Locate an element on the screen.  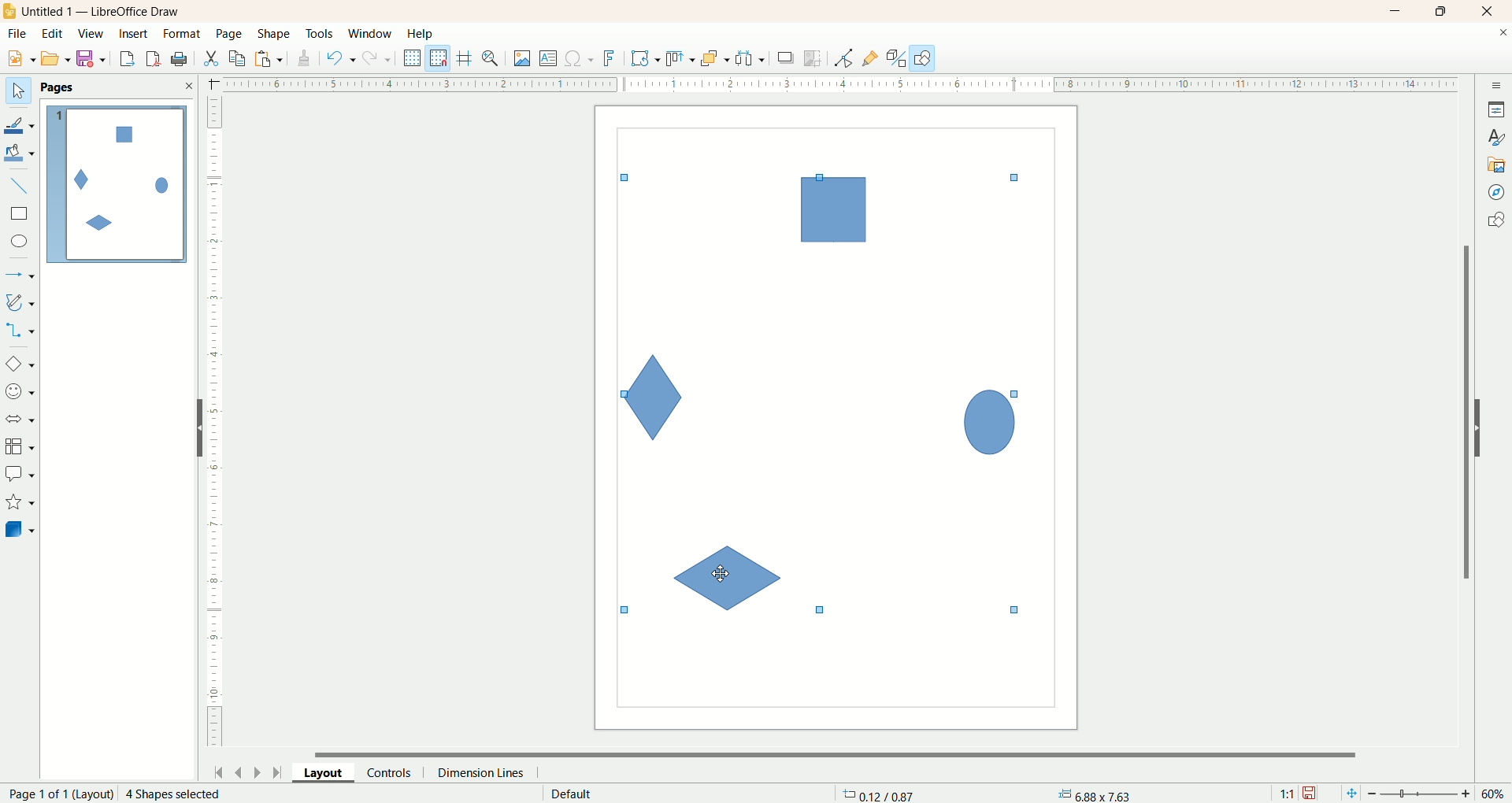
block arrow is located at coordinates (23, 420).